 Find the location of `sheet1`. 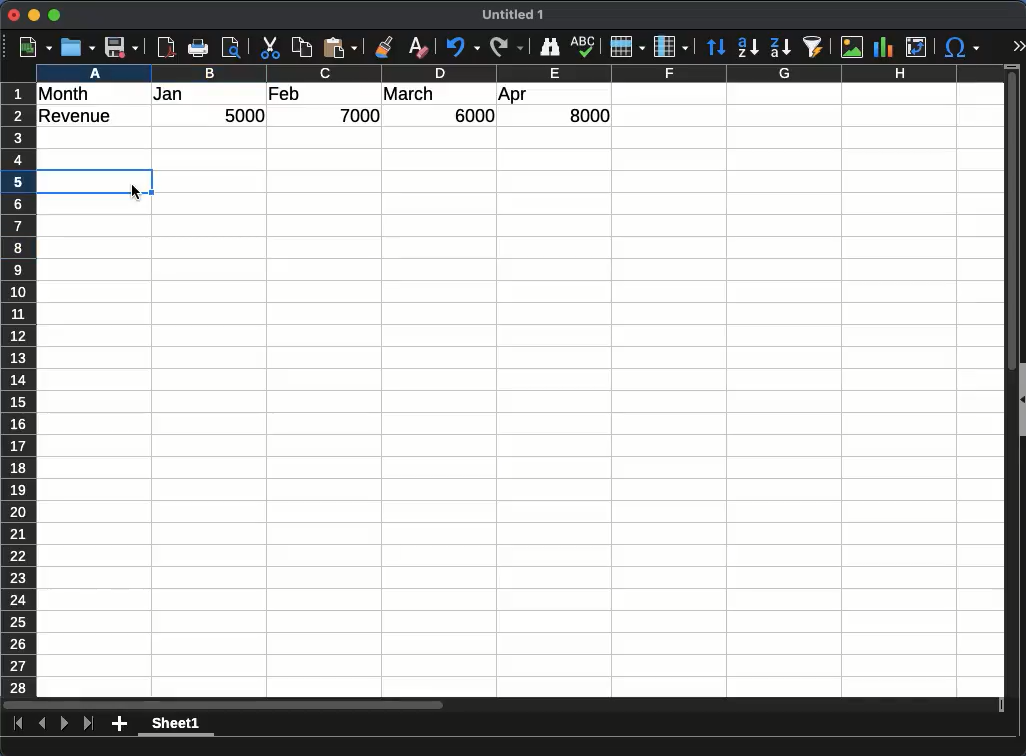

sheet1 is located at coordinates (176, 725).